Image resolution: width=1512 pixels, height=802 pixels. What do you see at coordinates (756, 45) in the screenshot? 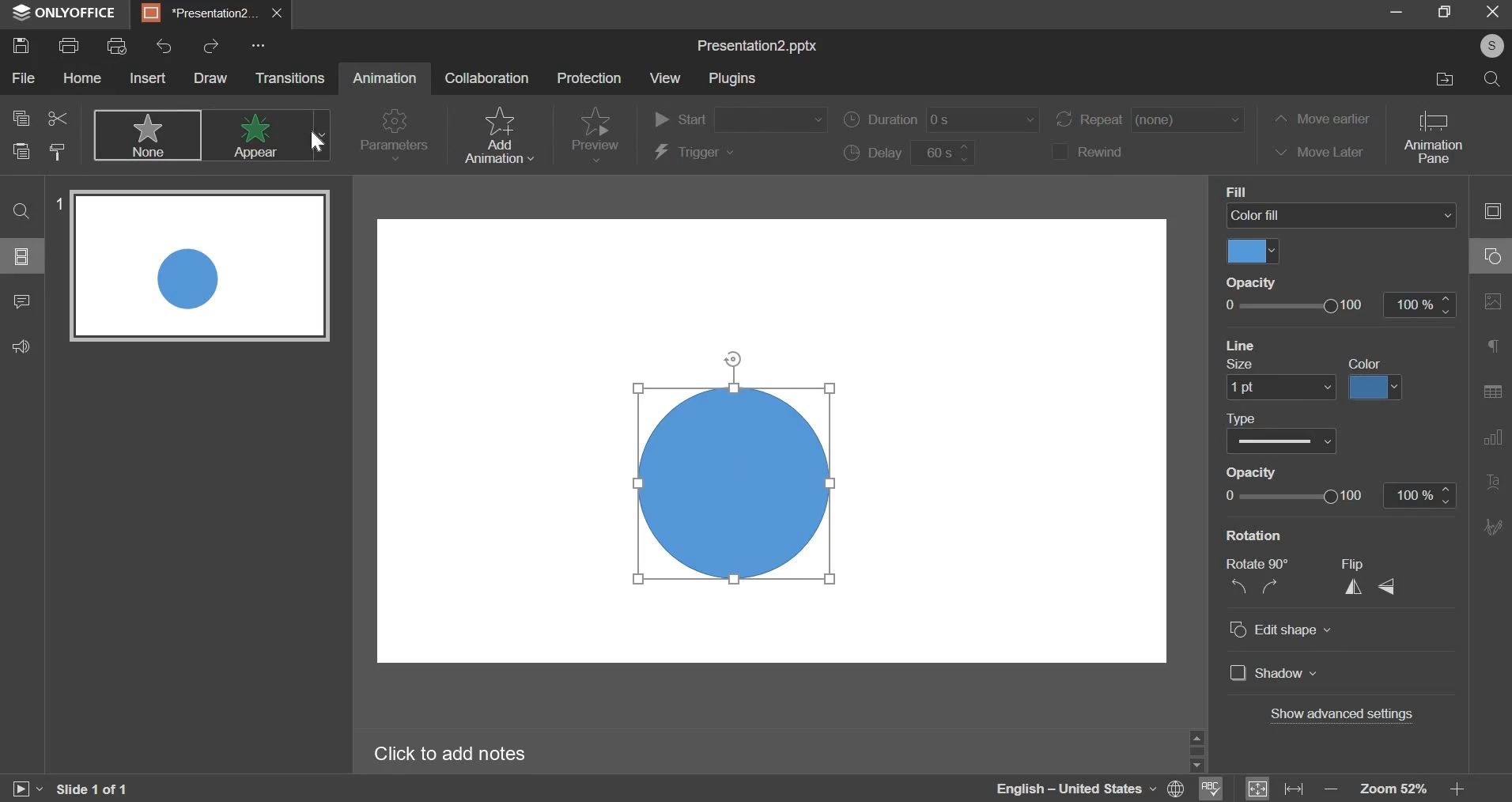
I see `presentation name` at bounding box center [756, 45].